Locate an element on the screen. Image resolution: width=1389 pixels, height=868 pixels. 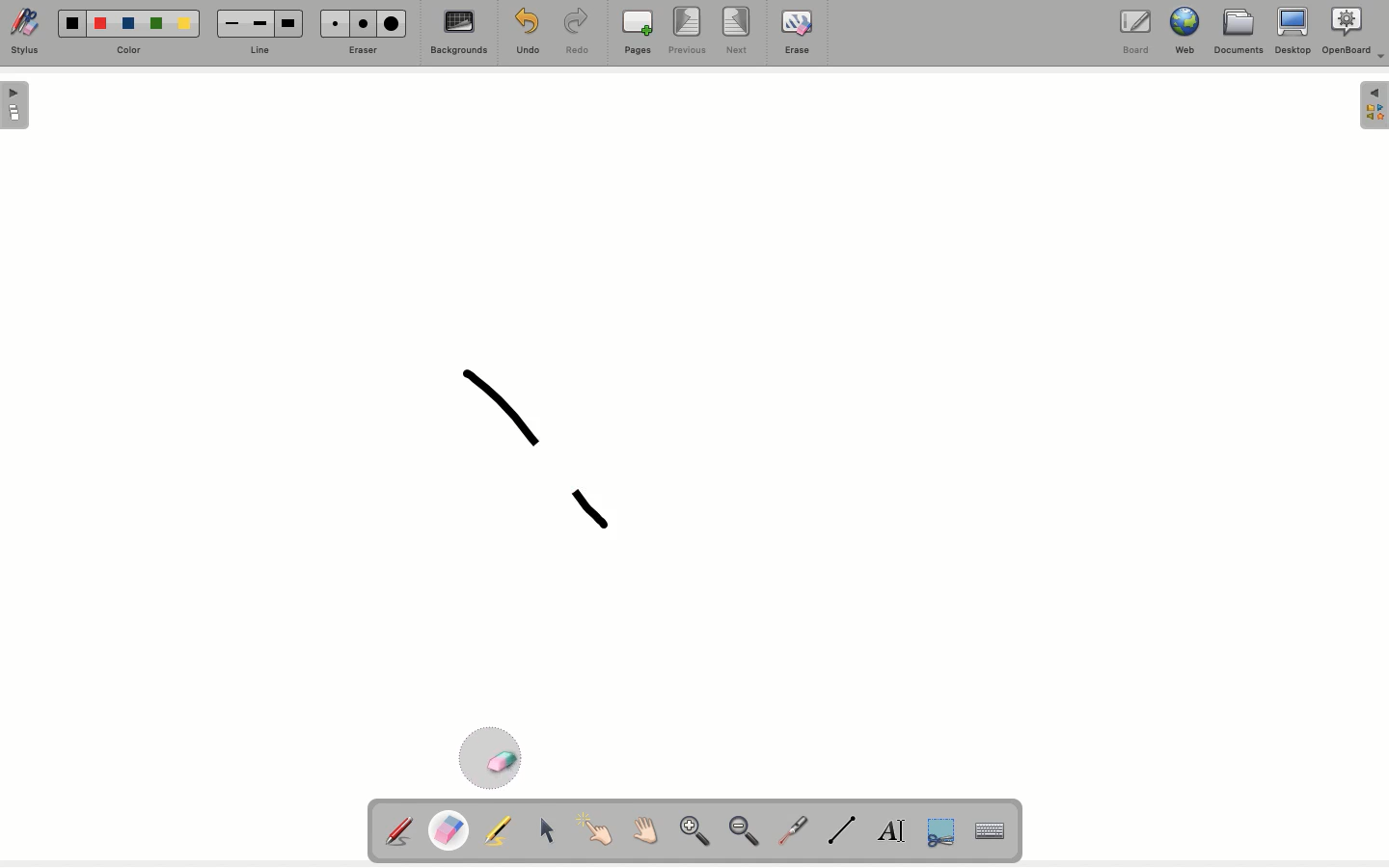
Borad is located at coordinates (1136, 35).